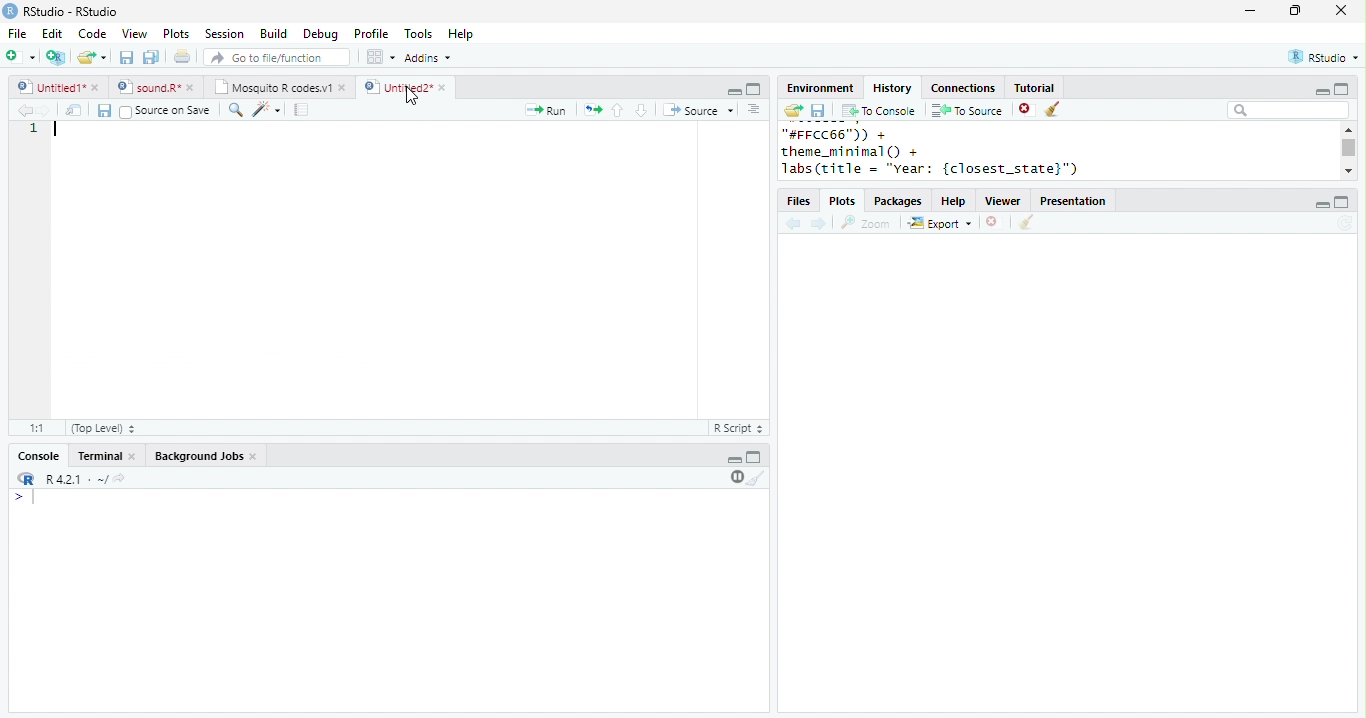  I want to click on close, so click(97, 87).